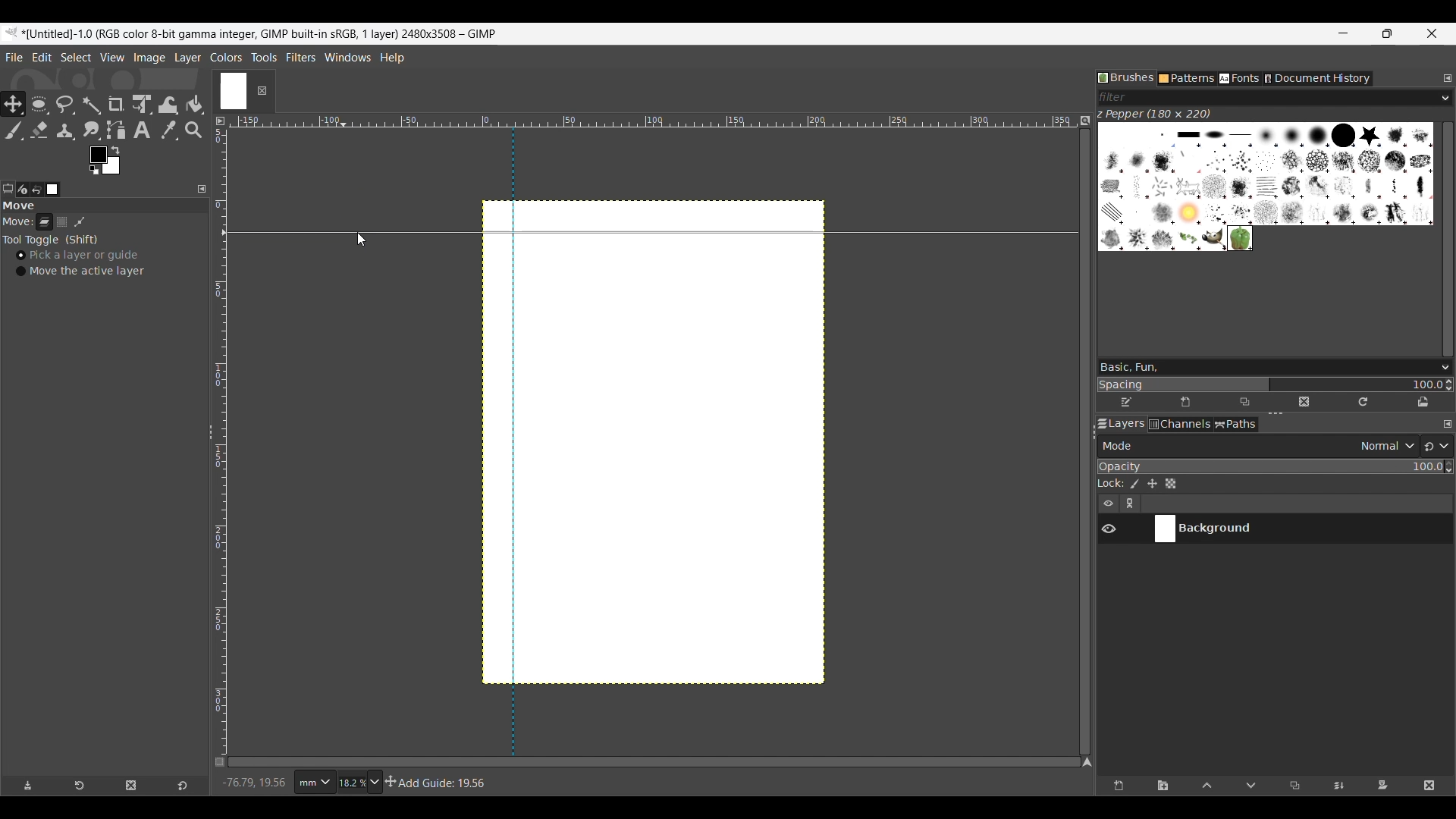 The height and width of the screenshot is (819, 1456). What do you see at coordinates (1431, 33) in the screenshot?
I see `Close interface` at bounding box center [1431, 33].